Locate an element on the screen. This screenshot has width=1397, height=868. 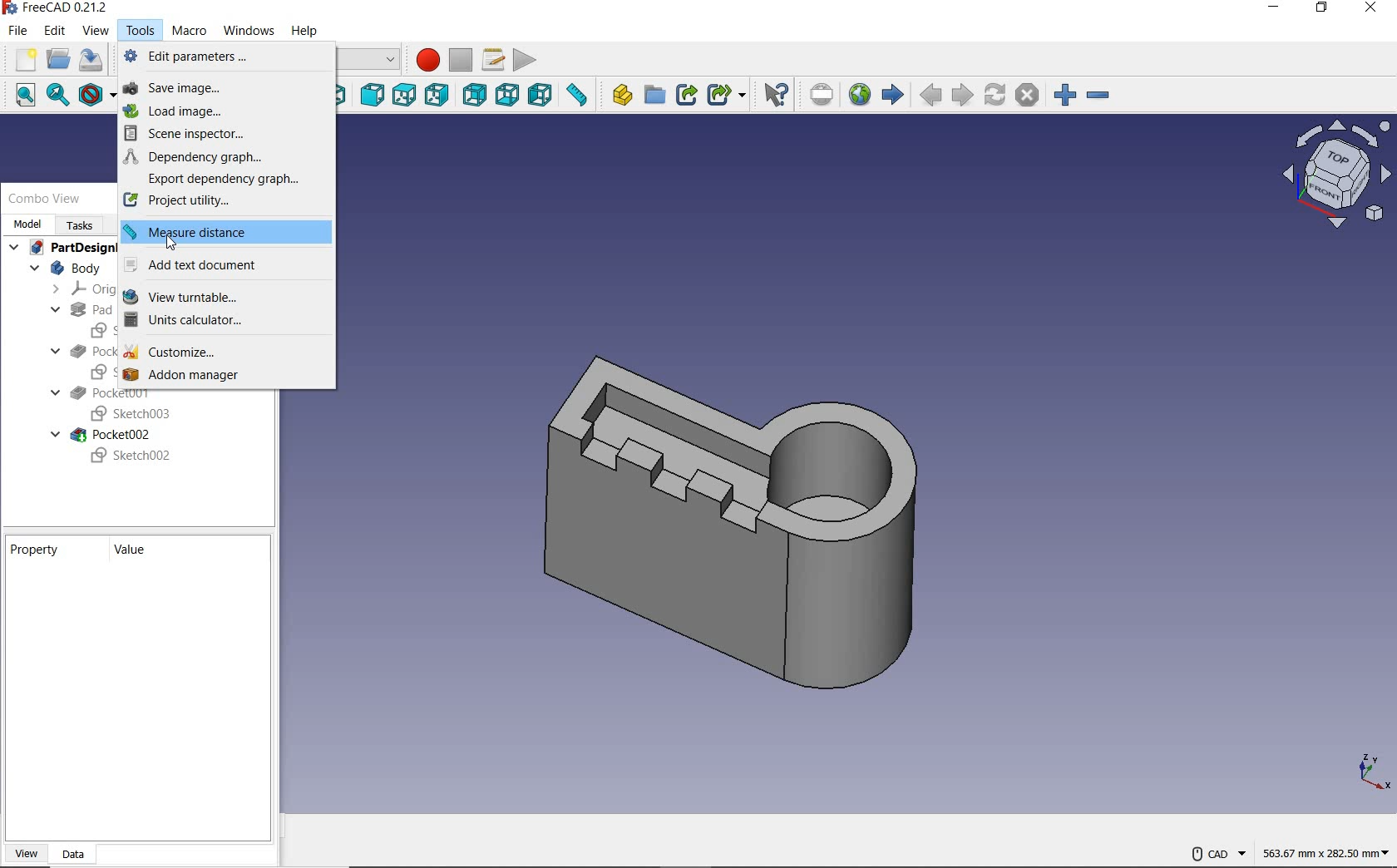
switch between workbenches is located at coordinates (371, 60).